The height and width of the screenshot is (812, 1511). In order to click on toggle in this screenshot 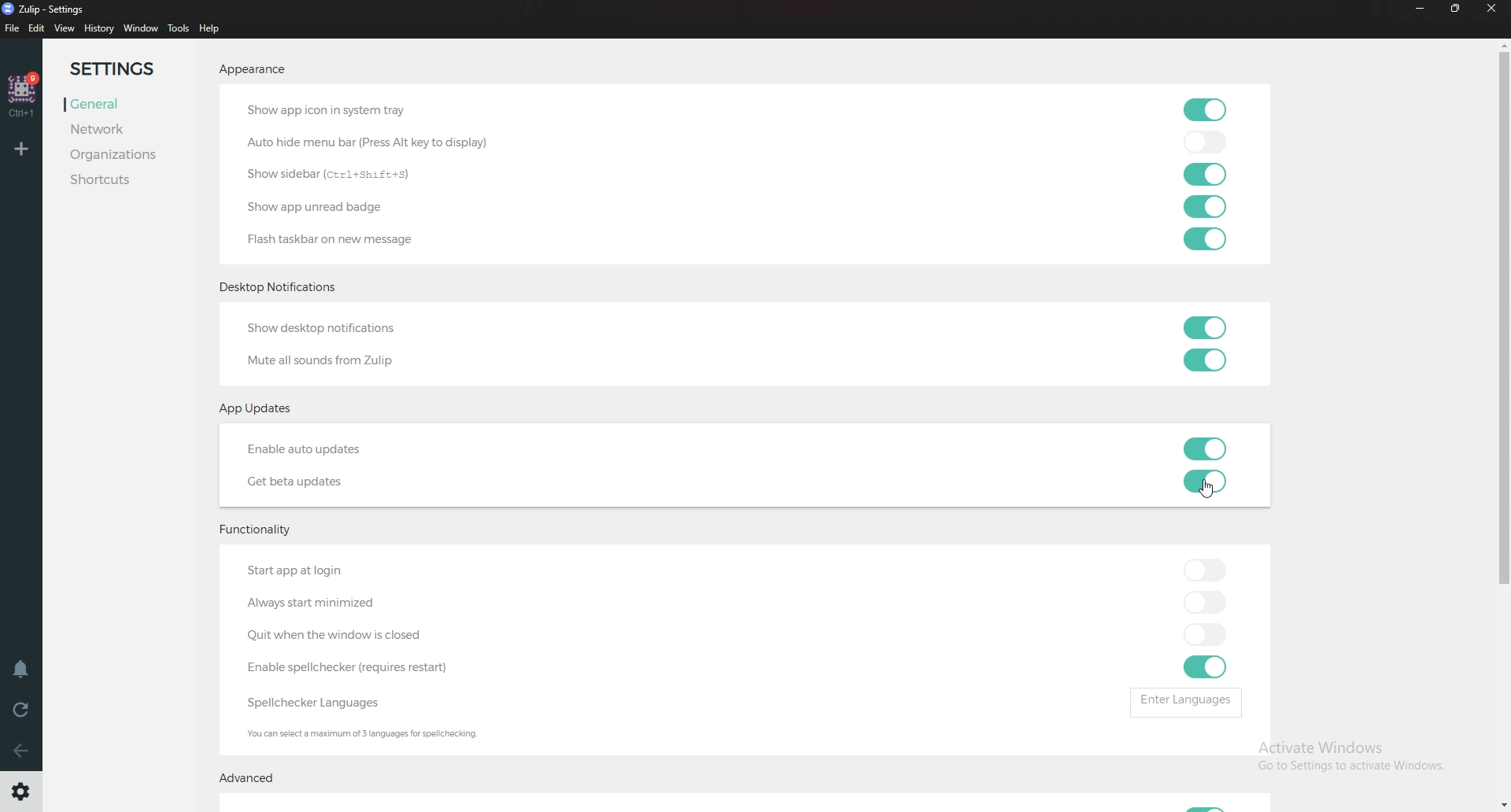, I will do `click(1202, 110)`.